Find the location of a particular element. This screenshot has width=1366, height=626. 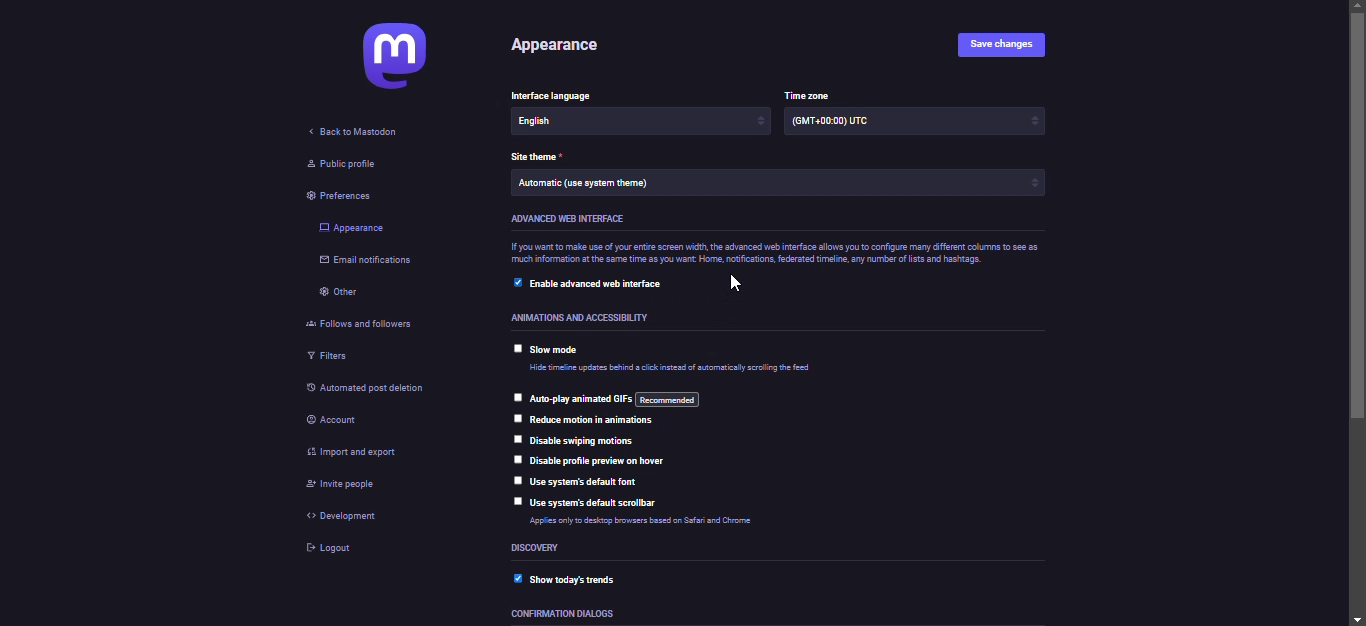

pointer cursor is located at coordinates (737, 283).